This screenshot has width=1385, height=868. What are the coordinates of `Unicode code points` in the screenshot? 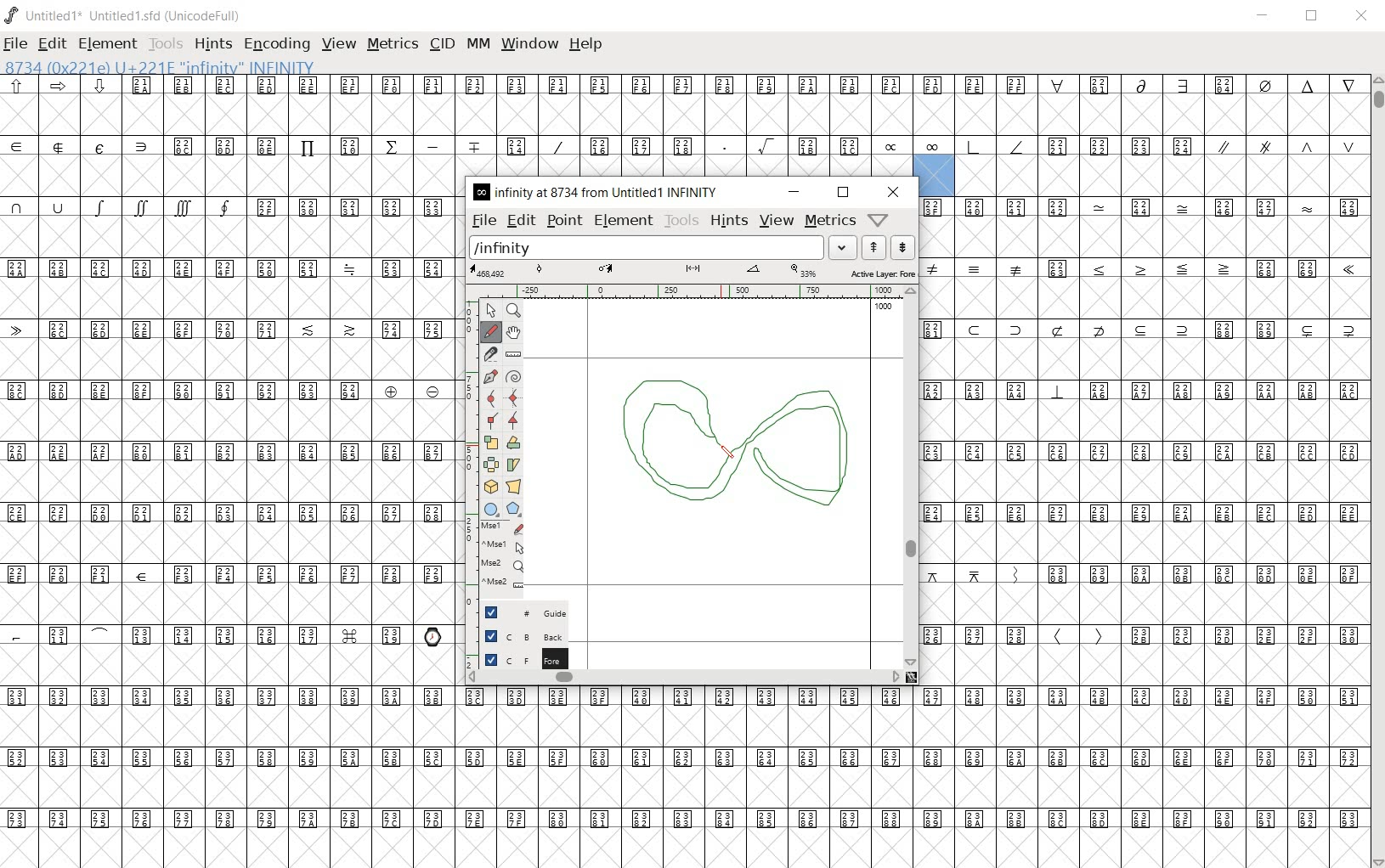 It's located at (978, 391).